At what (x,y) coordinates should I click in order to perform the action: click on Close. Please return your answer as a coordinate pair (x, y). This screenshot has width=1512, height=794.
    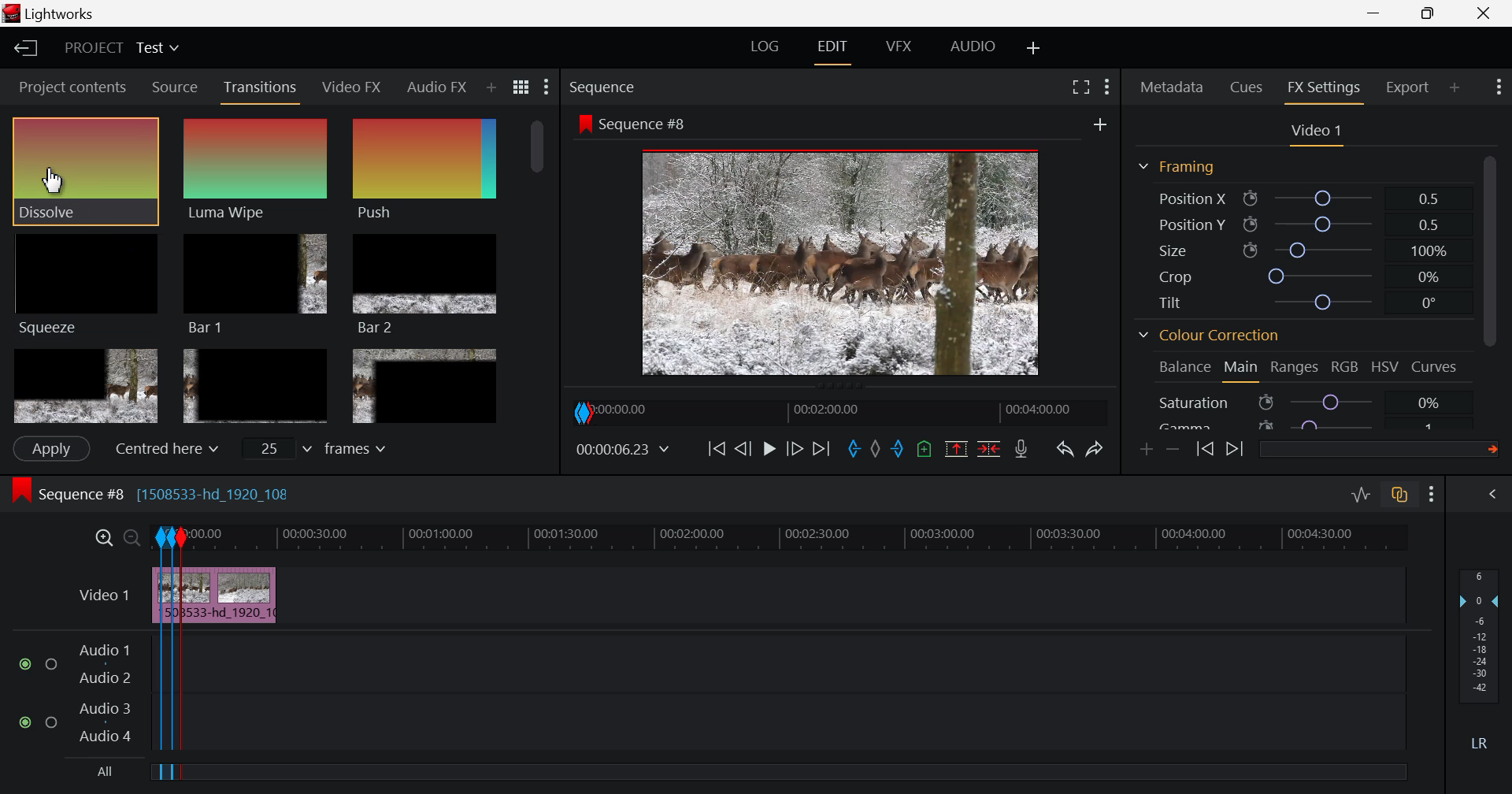
    Looking at the image, I should click on (1480, 13).